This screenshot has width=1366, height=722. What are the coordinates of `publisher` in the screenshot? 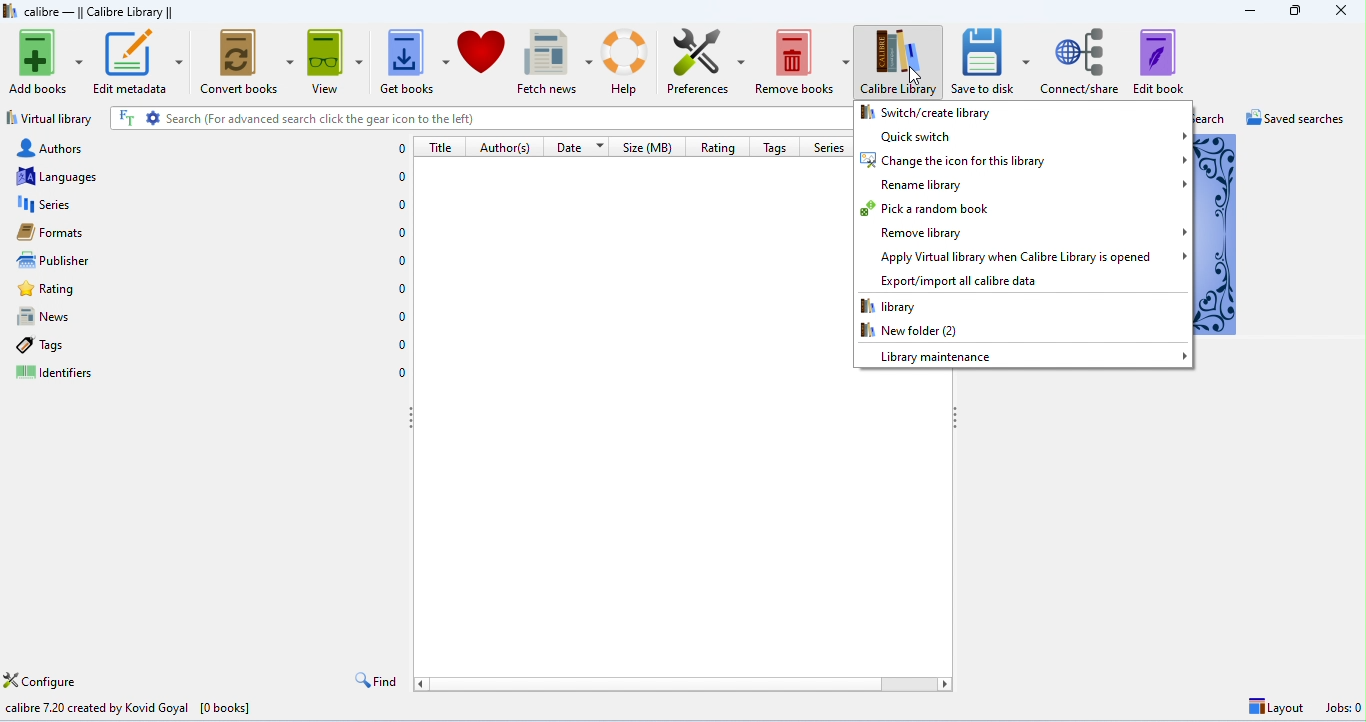 It's located at (213, 261).